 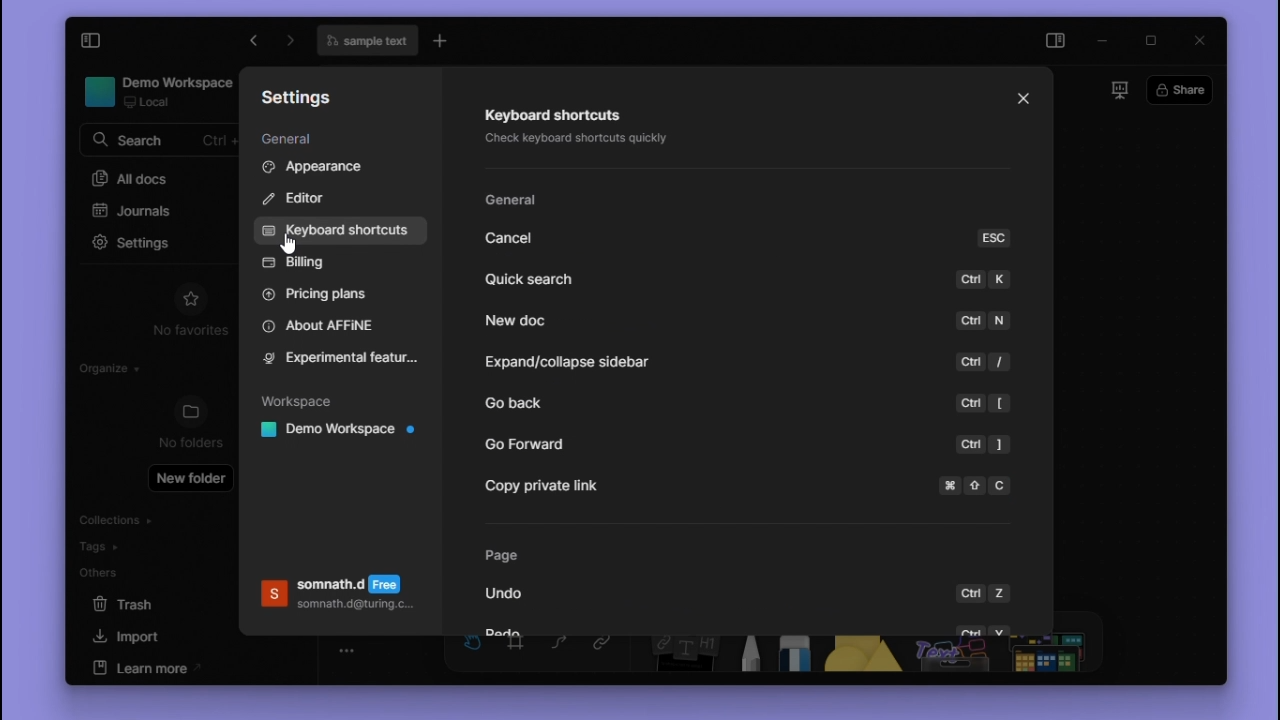 What do you see at coordinates (330, 326) in the screenshot?
I see `About` at bounding box center [330, 326].